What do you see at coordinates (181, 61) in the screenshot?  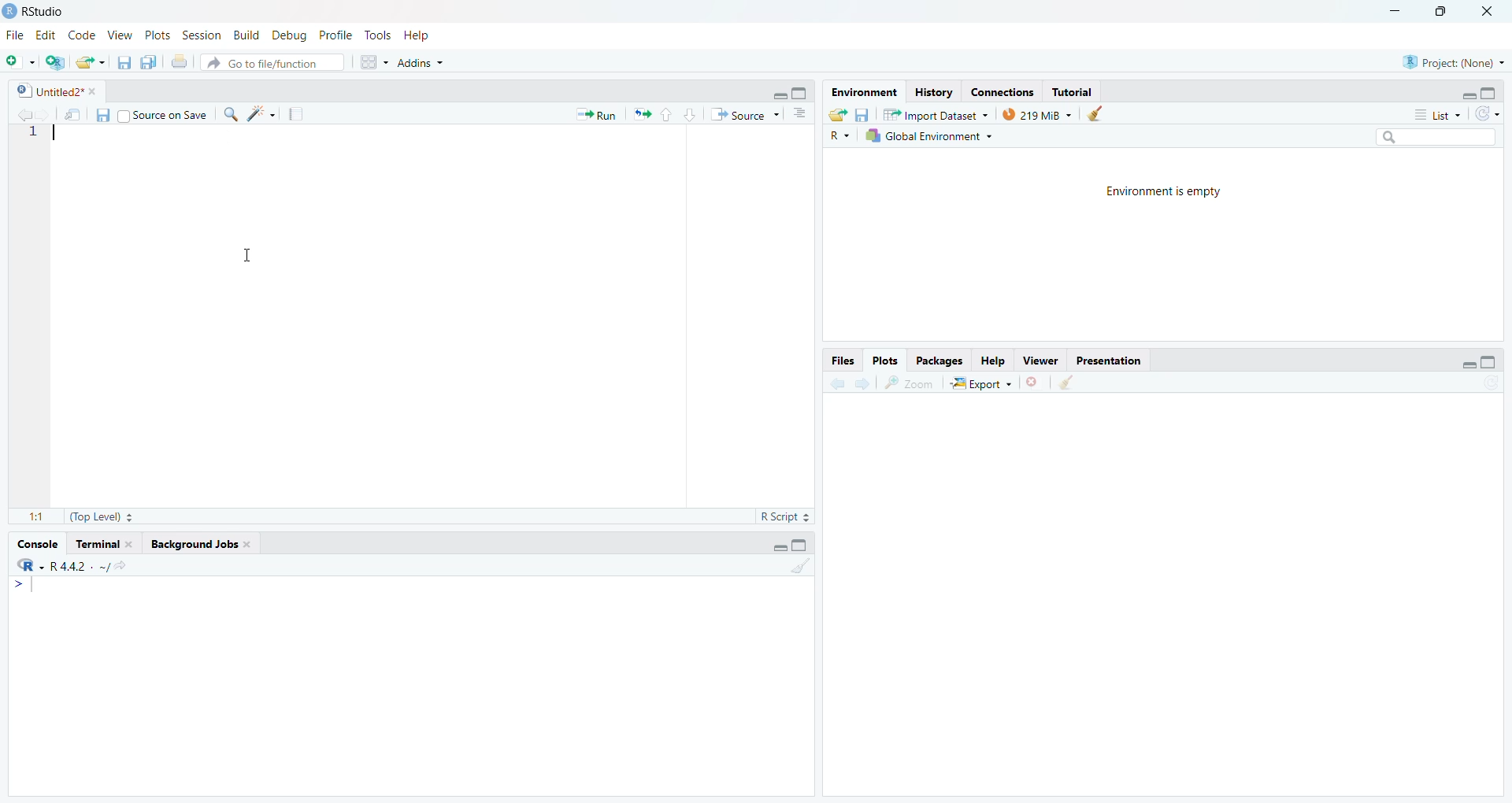 I see `Print` at bounding box center [181, 61].